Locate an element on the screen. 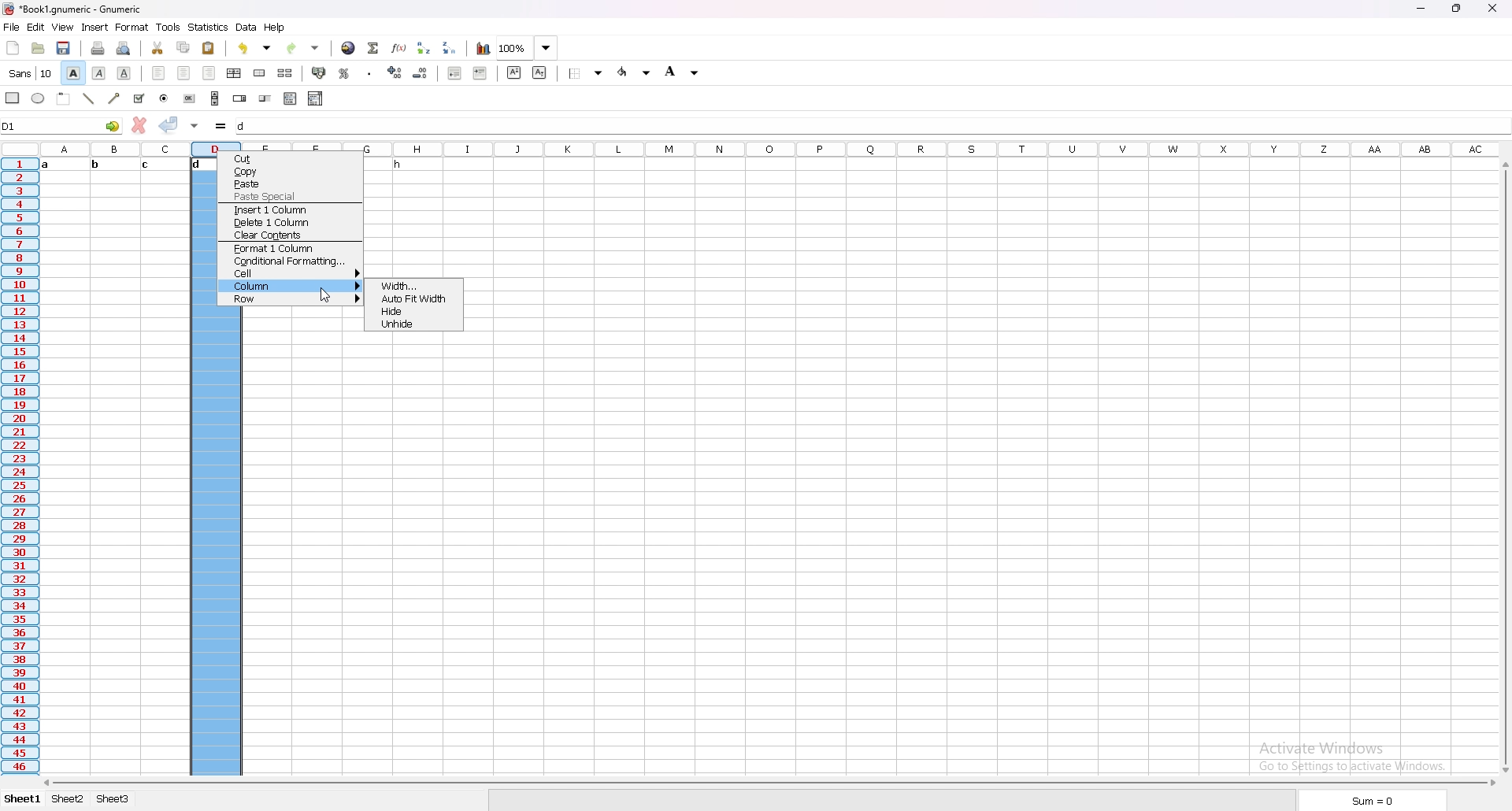  increase indent is located at coordinates (480, 73).